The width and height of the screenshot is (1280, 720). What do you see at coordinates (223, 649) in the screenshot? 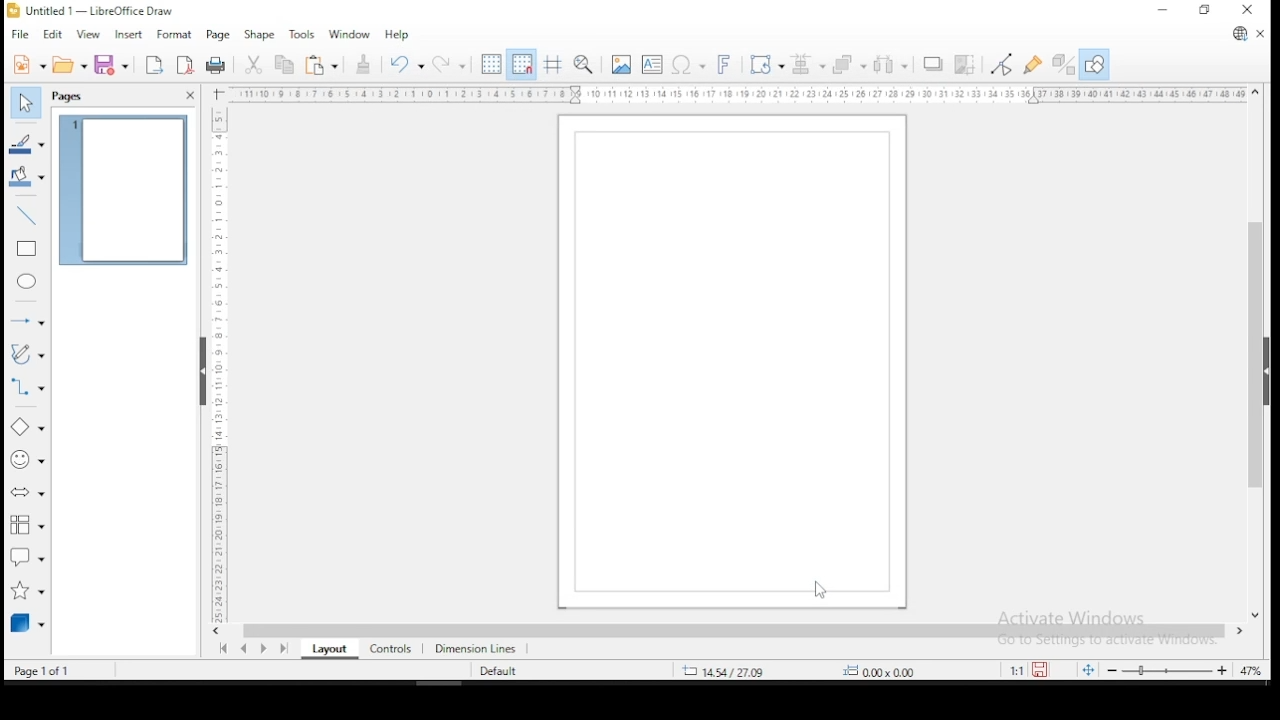
I see `first page` at bounding box center [223, 649].